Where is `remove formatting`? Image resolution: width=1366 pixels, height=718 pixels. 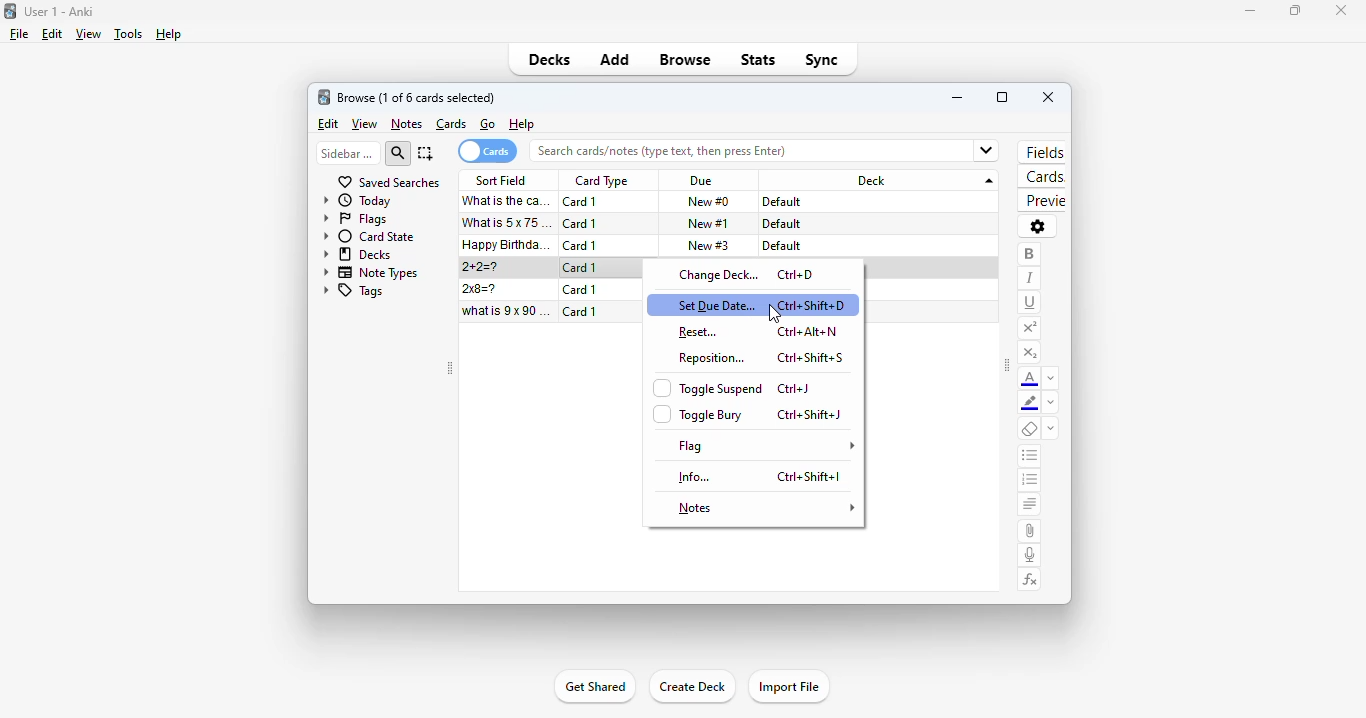
remove formatting is located at coordinates (1030, 430).